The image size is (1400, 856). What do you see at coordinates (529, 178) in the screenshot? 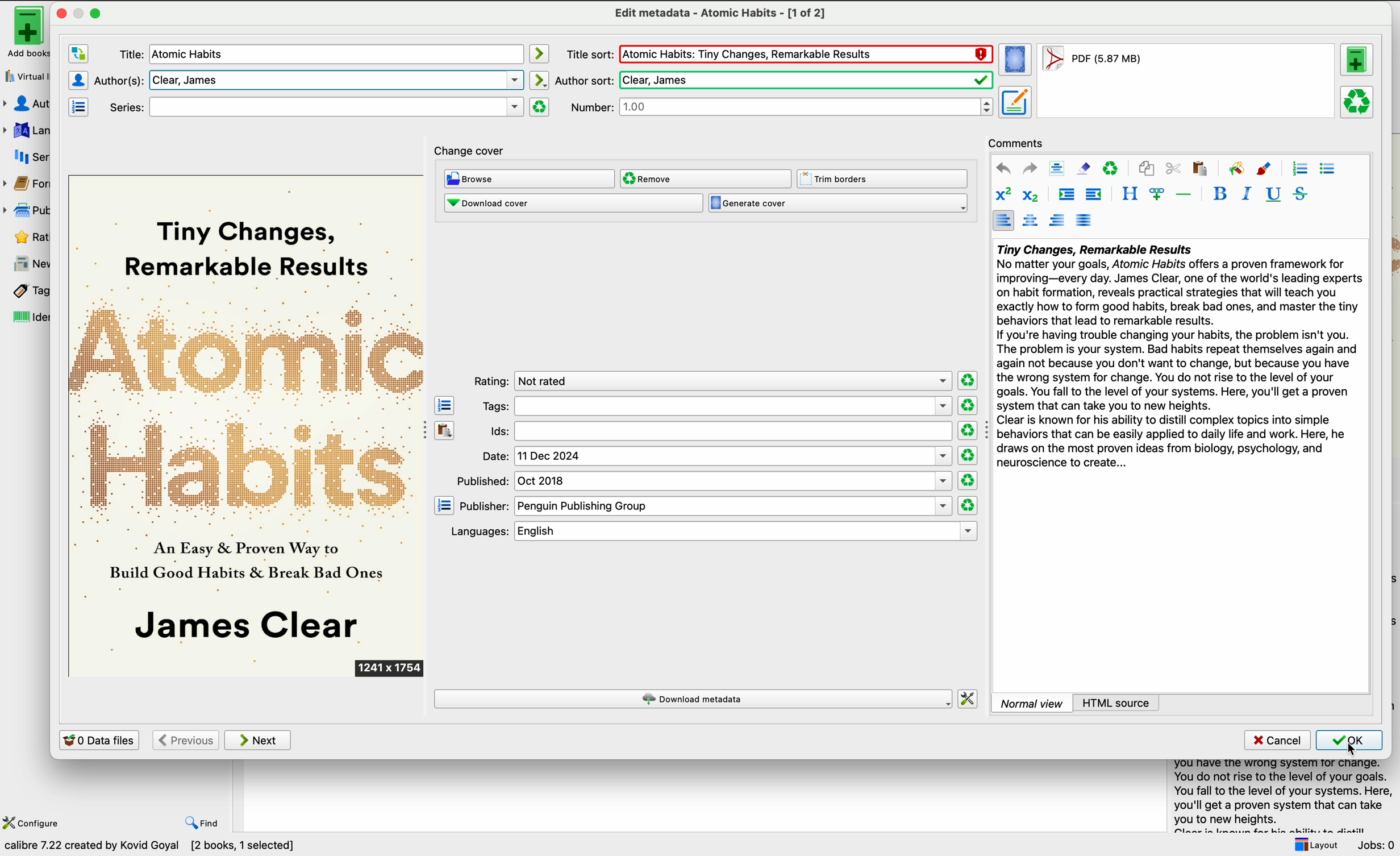
I see `browse` at bounding box center [529, 178].